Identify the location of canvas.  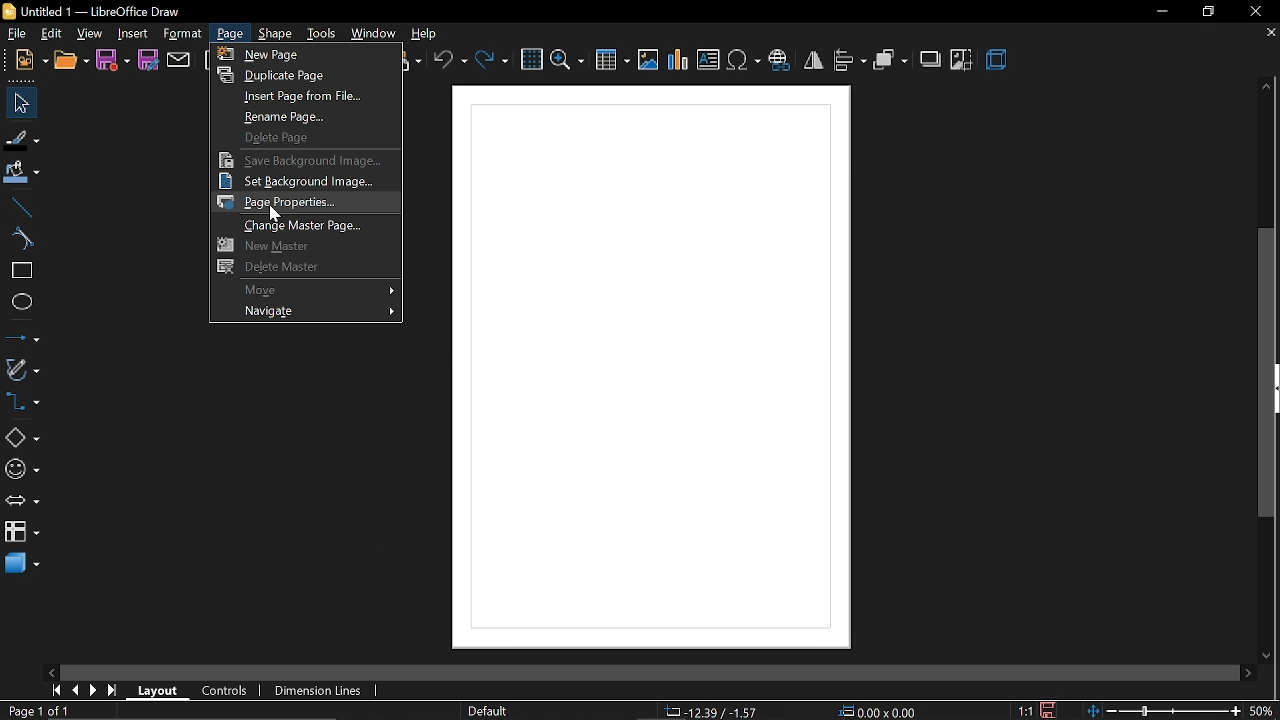
(650, 368).